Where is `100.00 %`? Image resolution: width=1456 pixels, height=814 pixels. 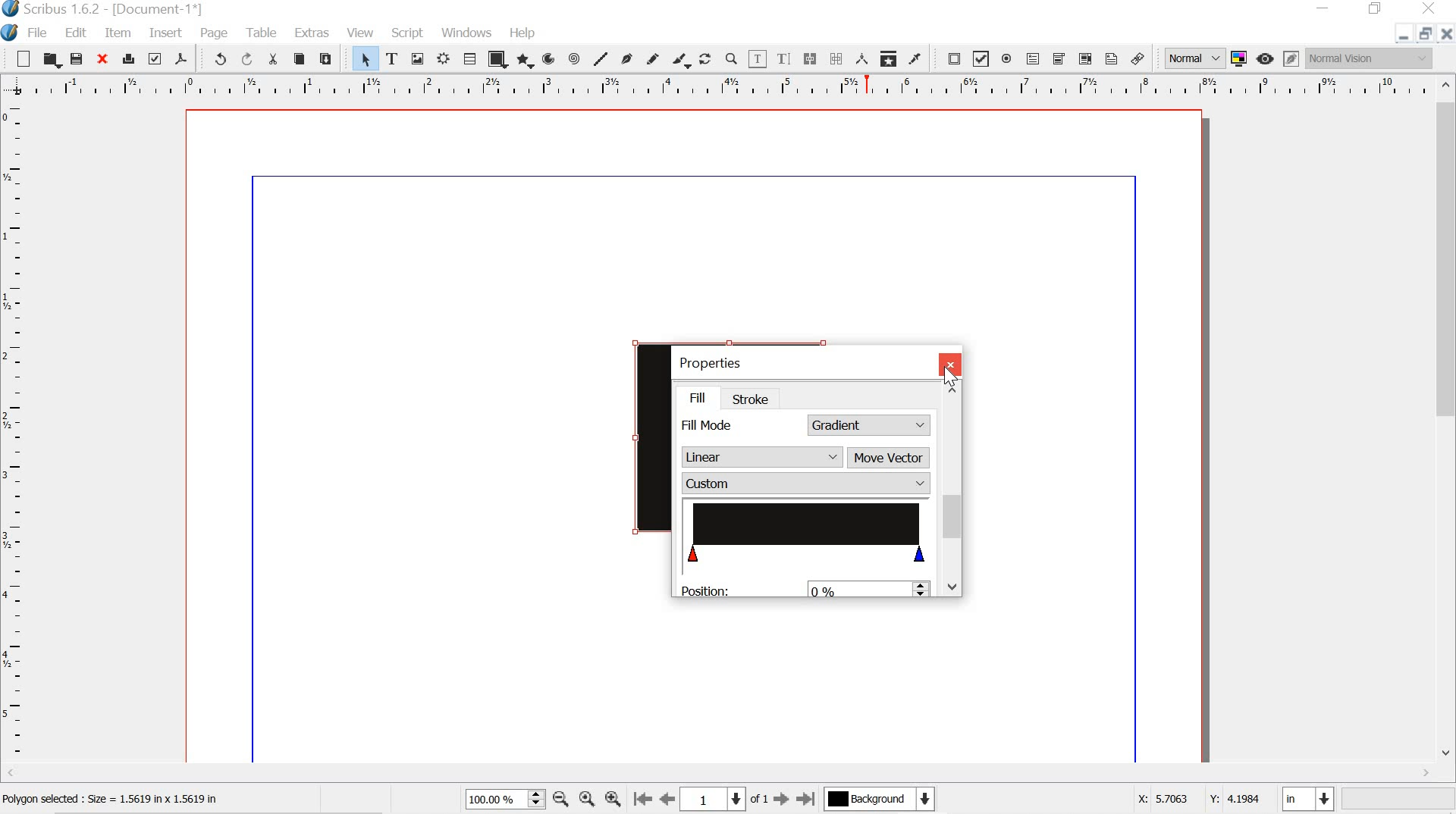
100.00 % is located at coordinates (492, 800).